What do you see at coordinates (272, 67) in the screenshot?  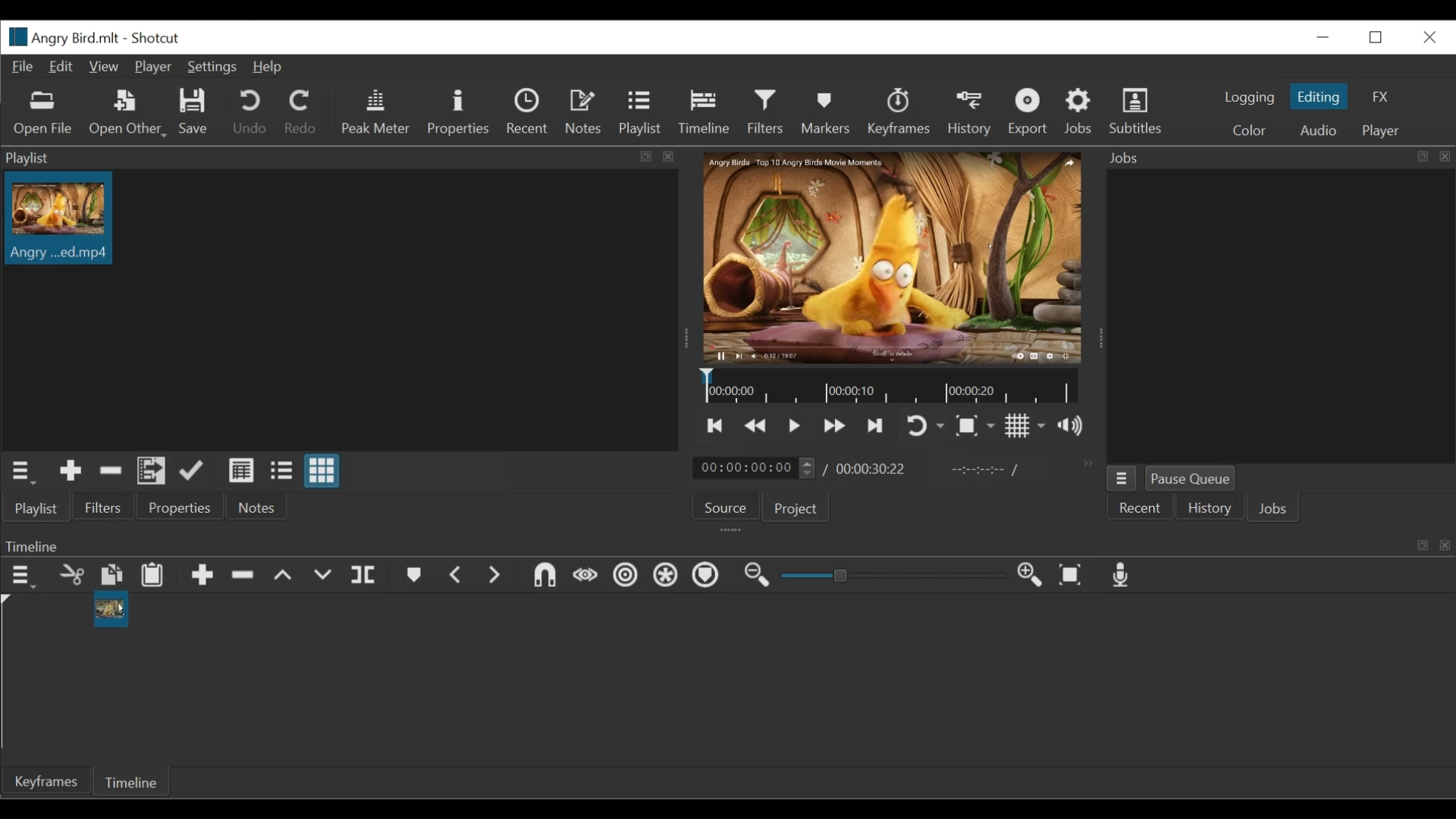 I see `Help` at bounding box center [272, 67].